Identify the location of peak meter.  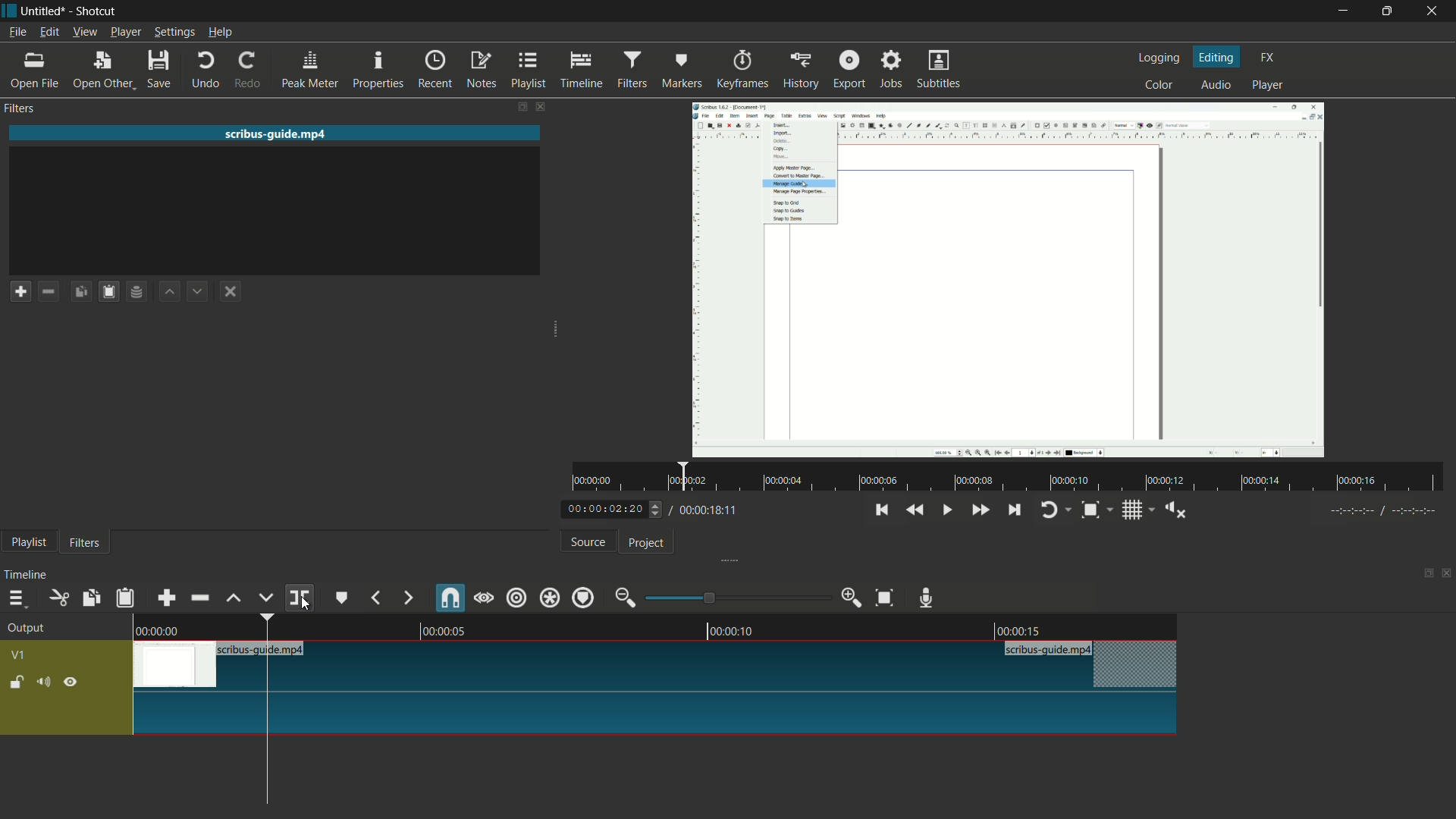
(311, 69).